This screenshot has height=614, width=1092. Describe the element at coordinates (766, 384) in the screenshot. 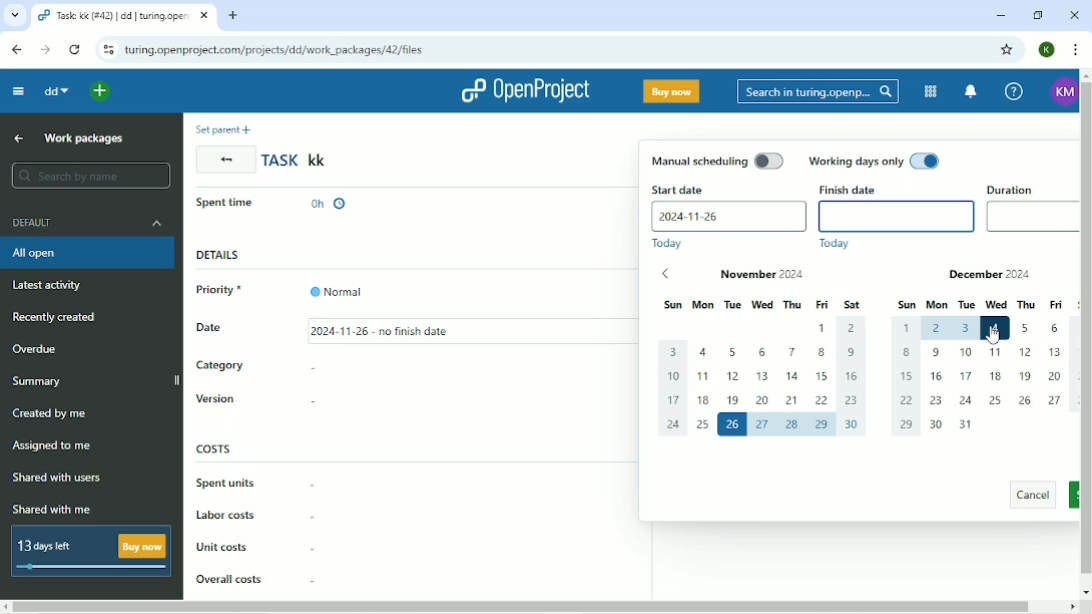

I see `dates of Nov 2024 ` at that location.